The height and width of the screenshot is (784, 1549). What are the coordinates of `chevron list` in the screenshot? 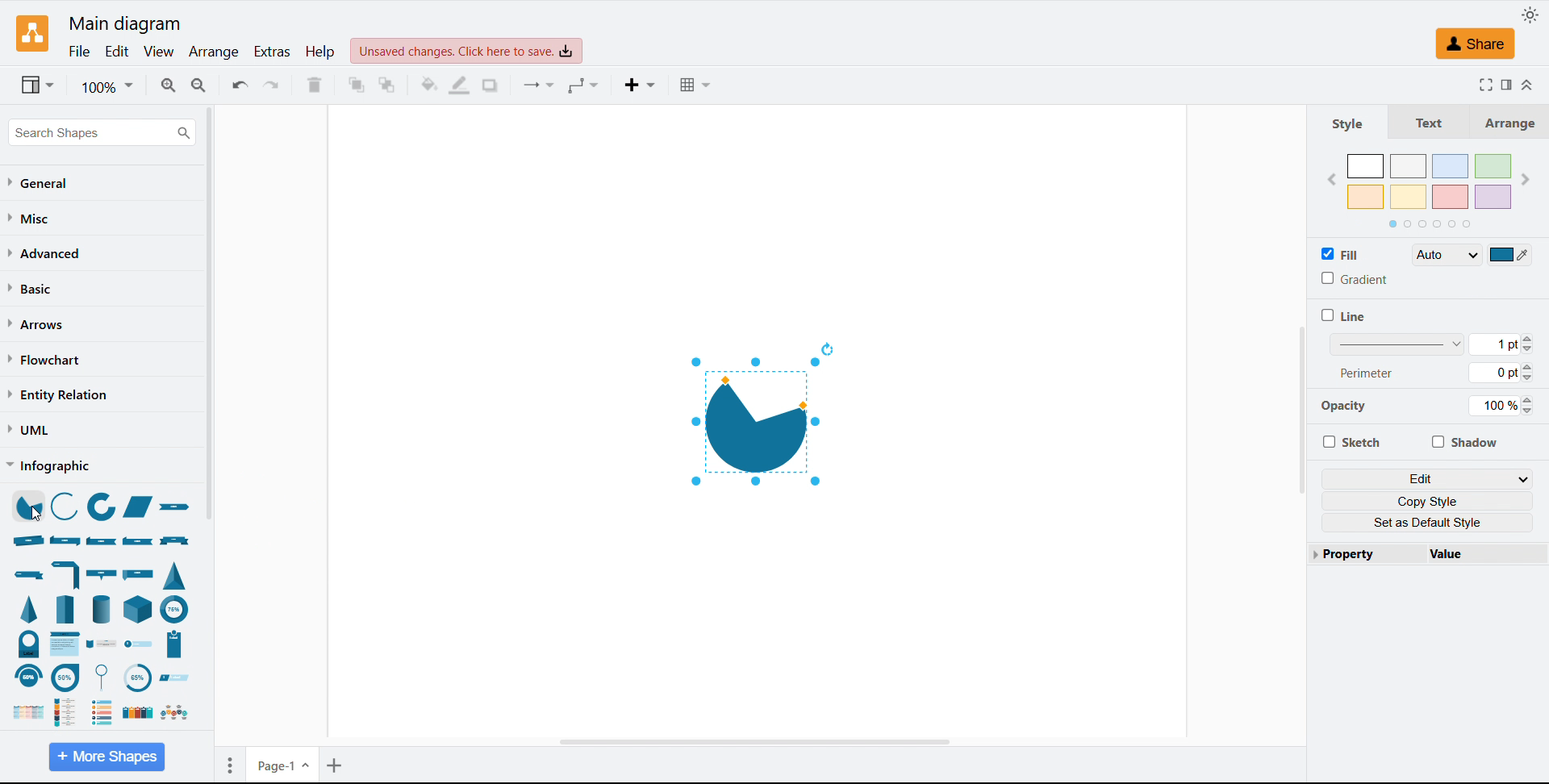 It's located at (63, 643).